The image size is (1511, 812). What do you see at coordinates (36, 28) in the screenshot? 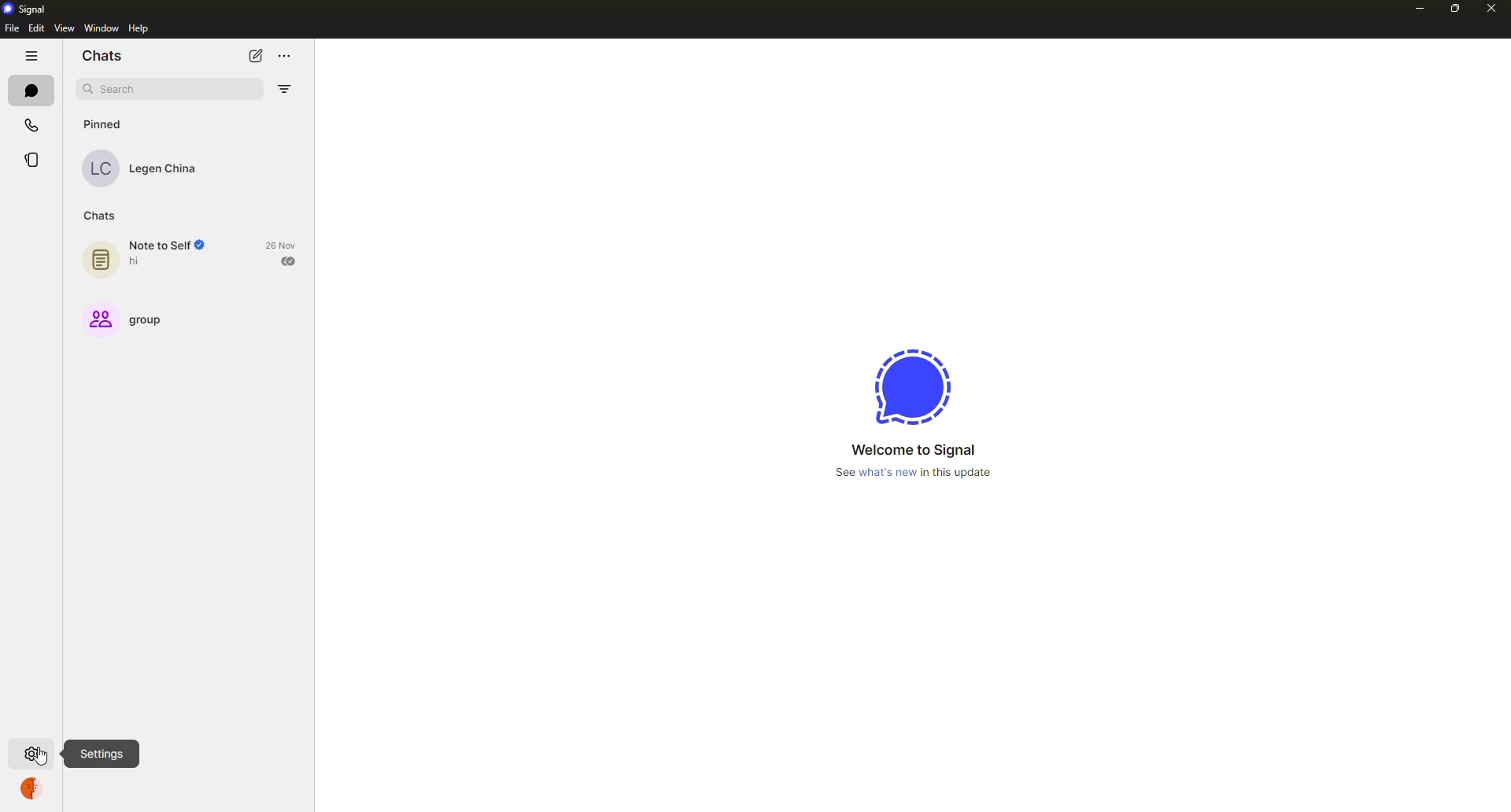
I see `edit` at bounding box center [36, 28].